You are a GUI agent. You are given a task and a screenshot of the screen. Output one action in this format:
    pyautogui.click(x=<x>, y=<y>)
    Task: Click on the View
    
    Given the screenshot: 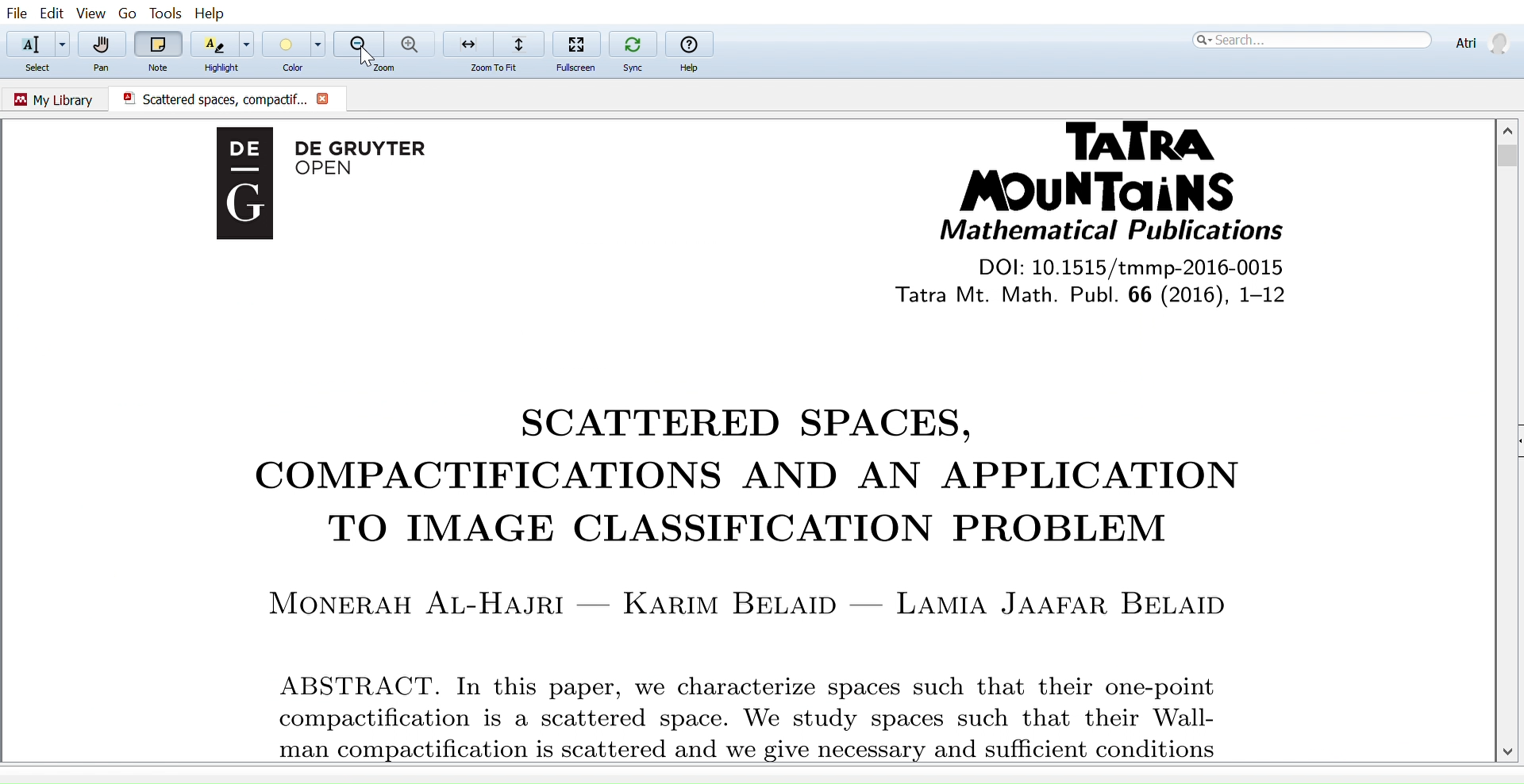 What is the action you would take?
    pyautogui.click(x=92, y=14)
    